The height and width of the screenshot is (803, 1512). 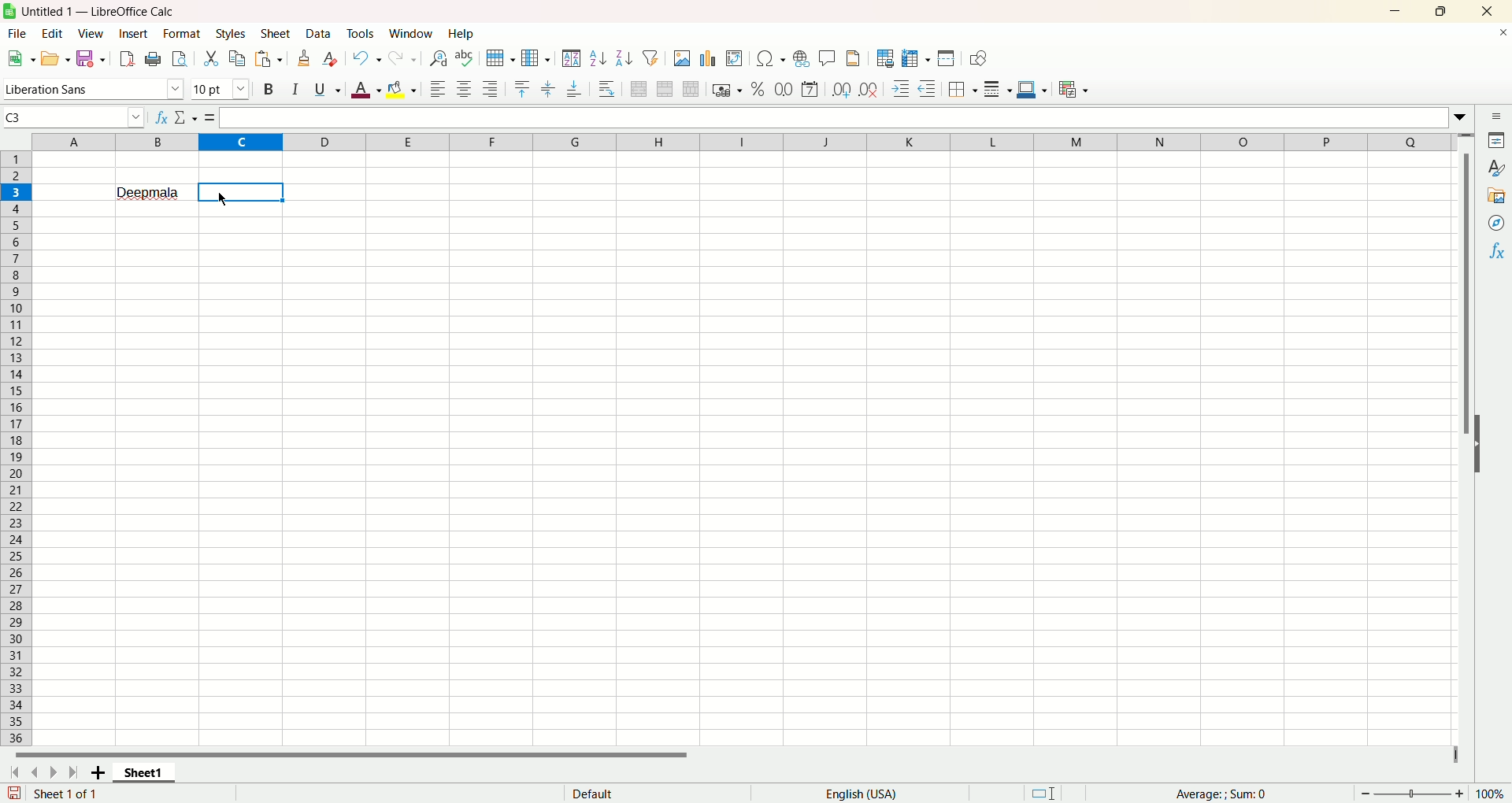 I want to click on Font color, so click(x=366, y=89).